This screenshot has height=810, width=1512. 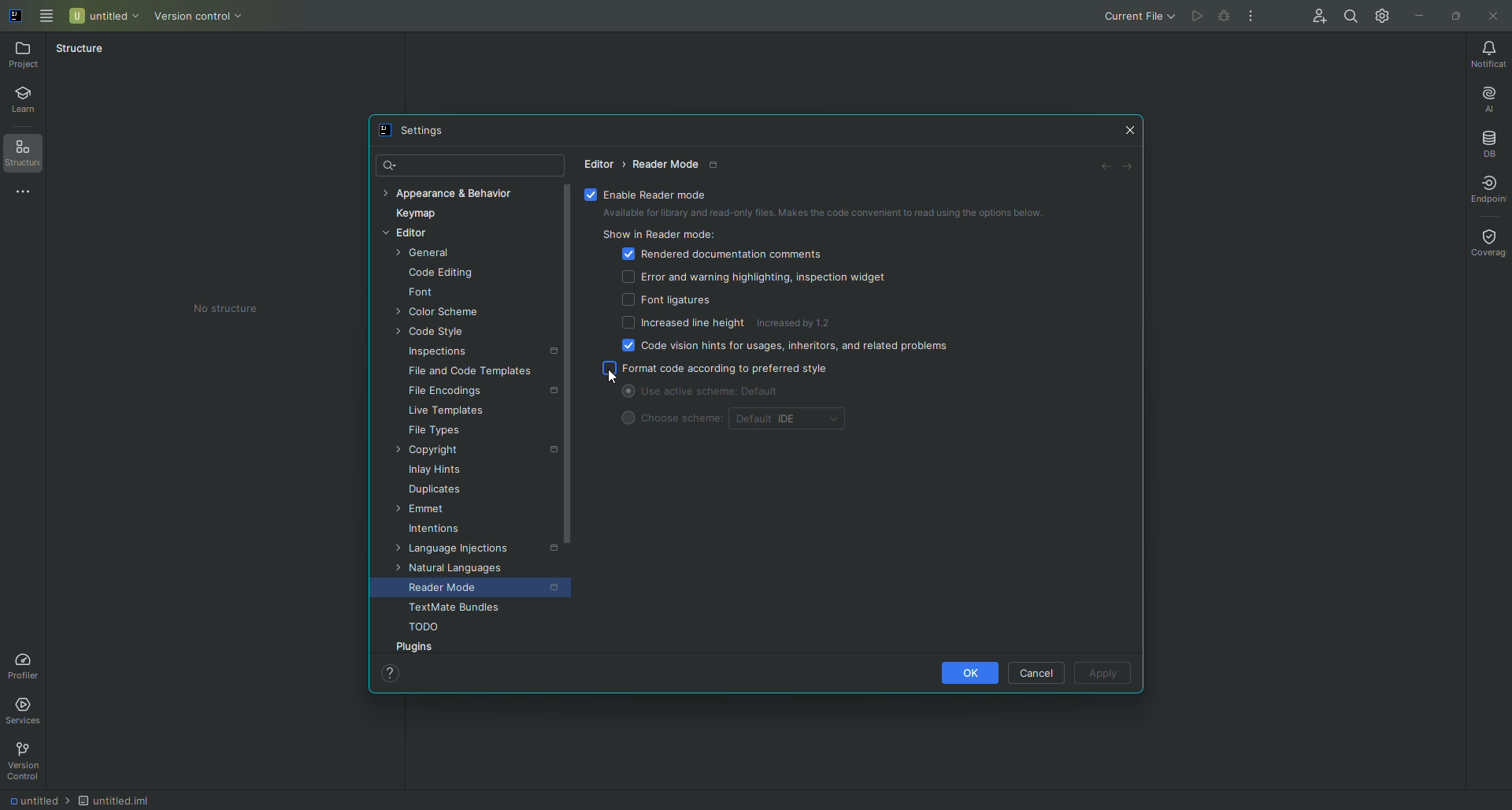 I want to click on File and code templates, so click(x=465, y=371).